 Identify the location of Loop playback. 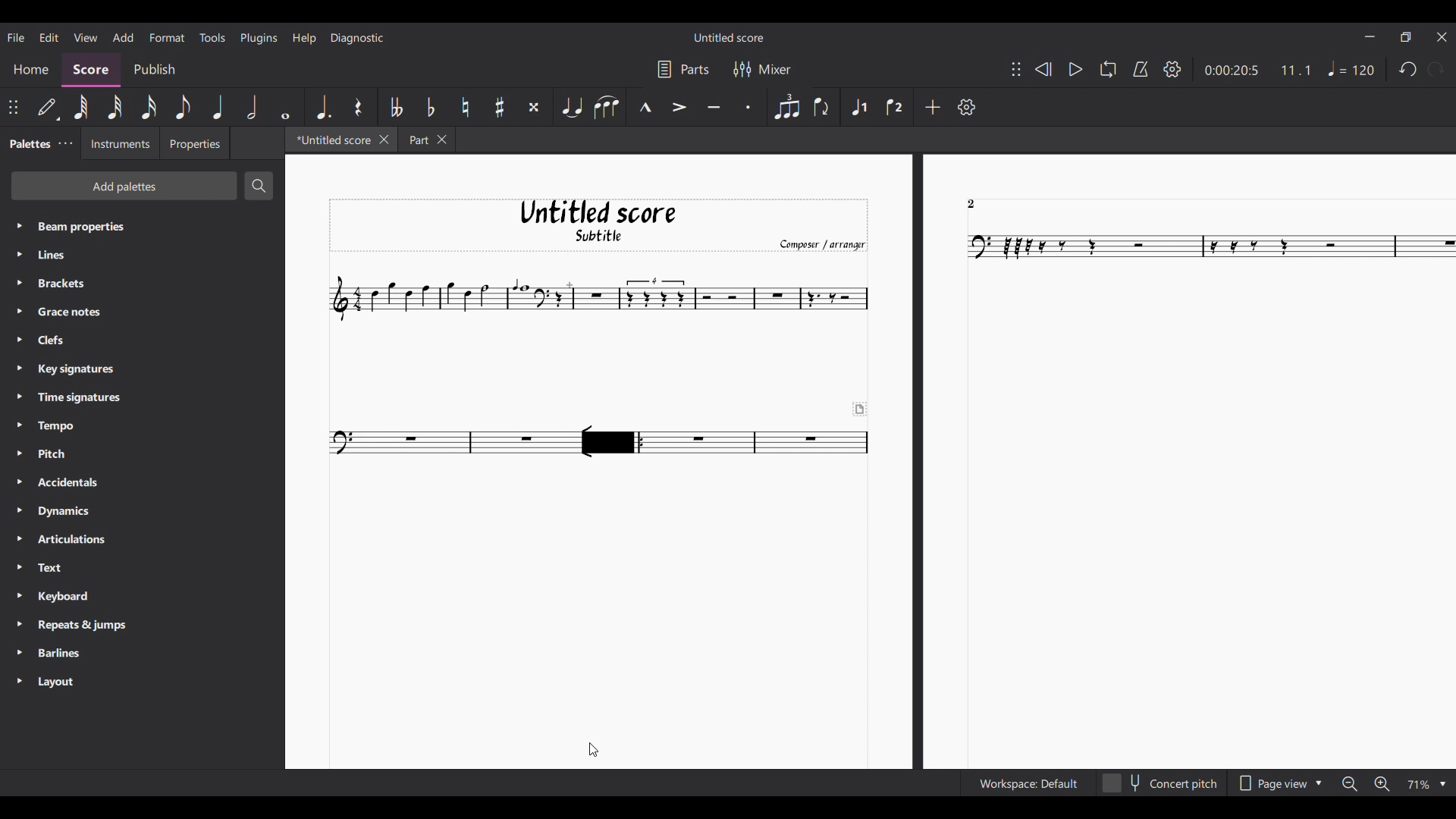
(1108, 69).